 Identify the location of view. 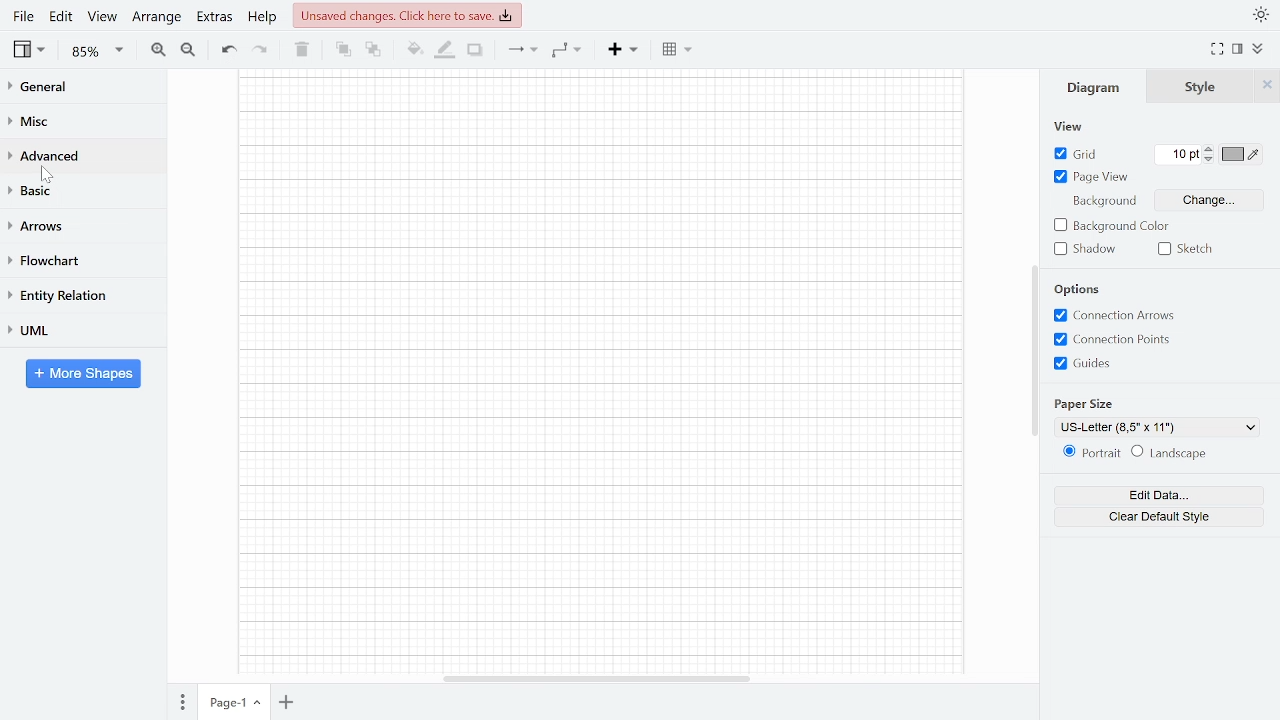
(1070, 127).